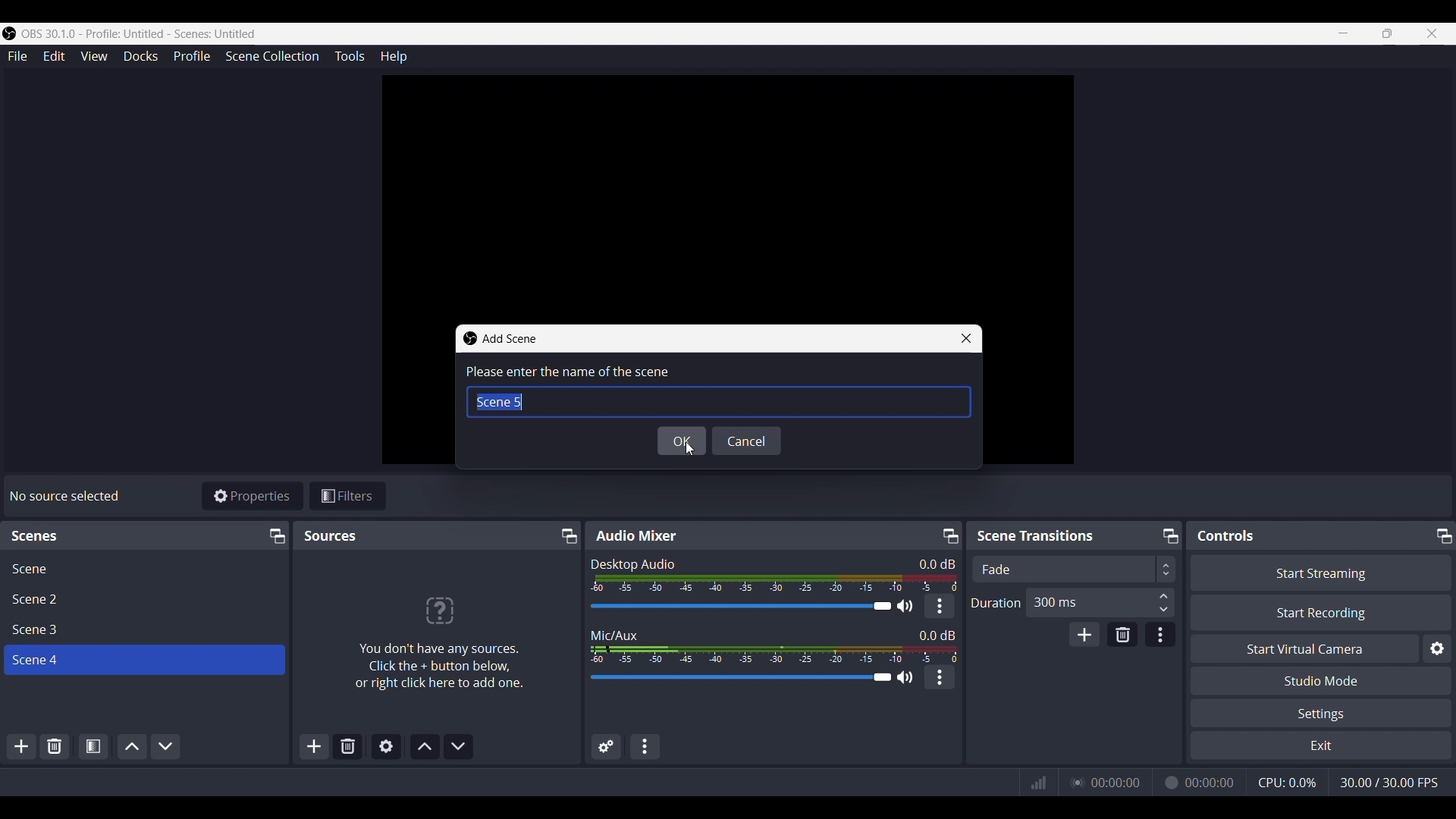 This screenshot has width=1456, height=819. Describe the element at coordinates (749, 678) in the screenshot. I see `Volume Adjuster` at that location.